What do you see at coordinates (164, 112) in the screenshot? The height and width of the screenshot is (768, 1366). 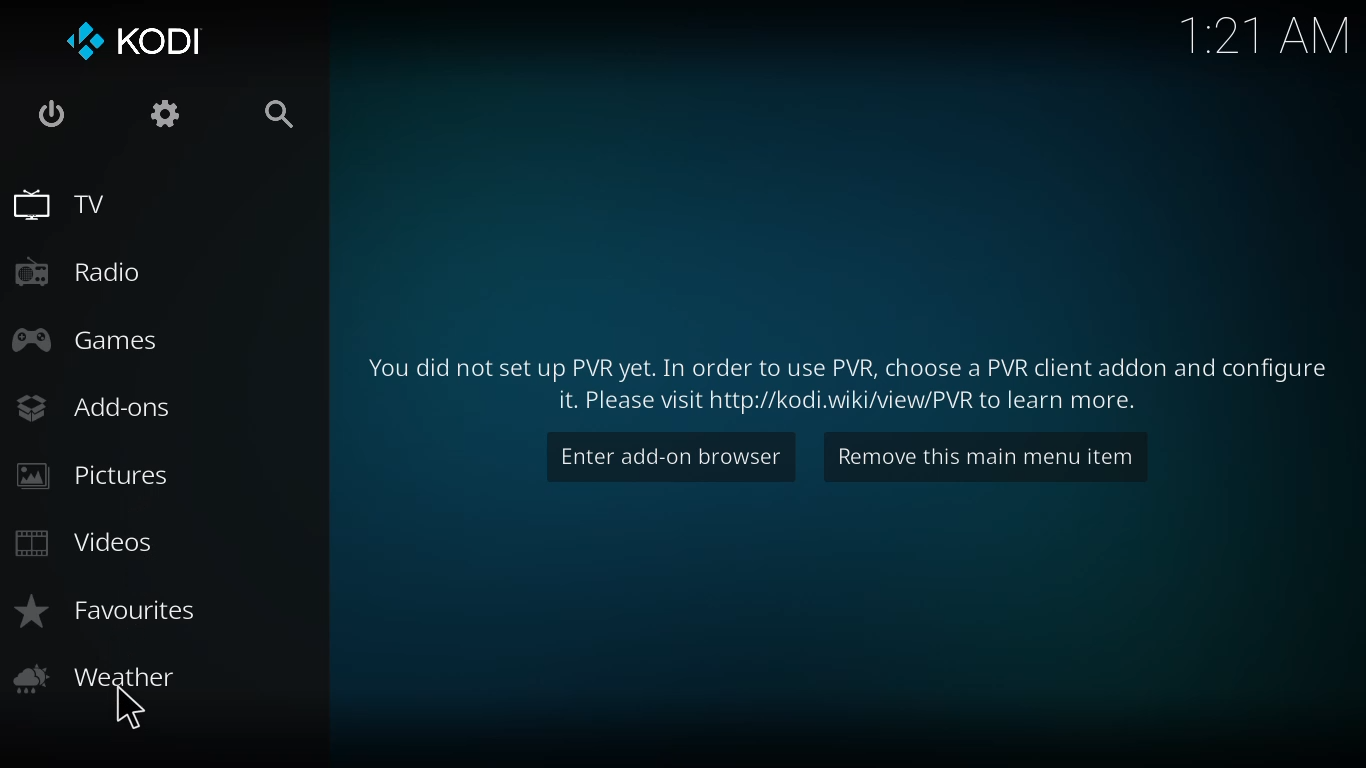 I see `settings` at bounding box center [164, 112].